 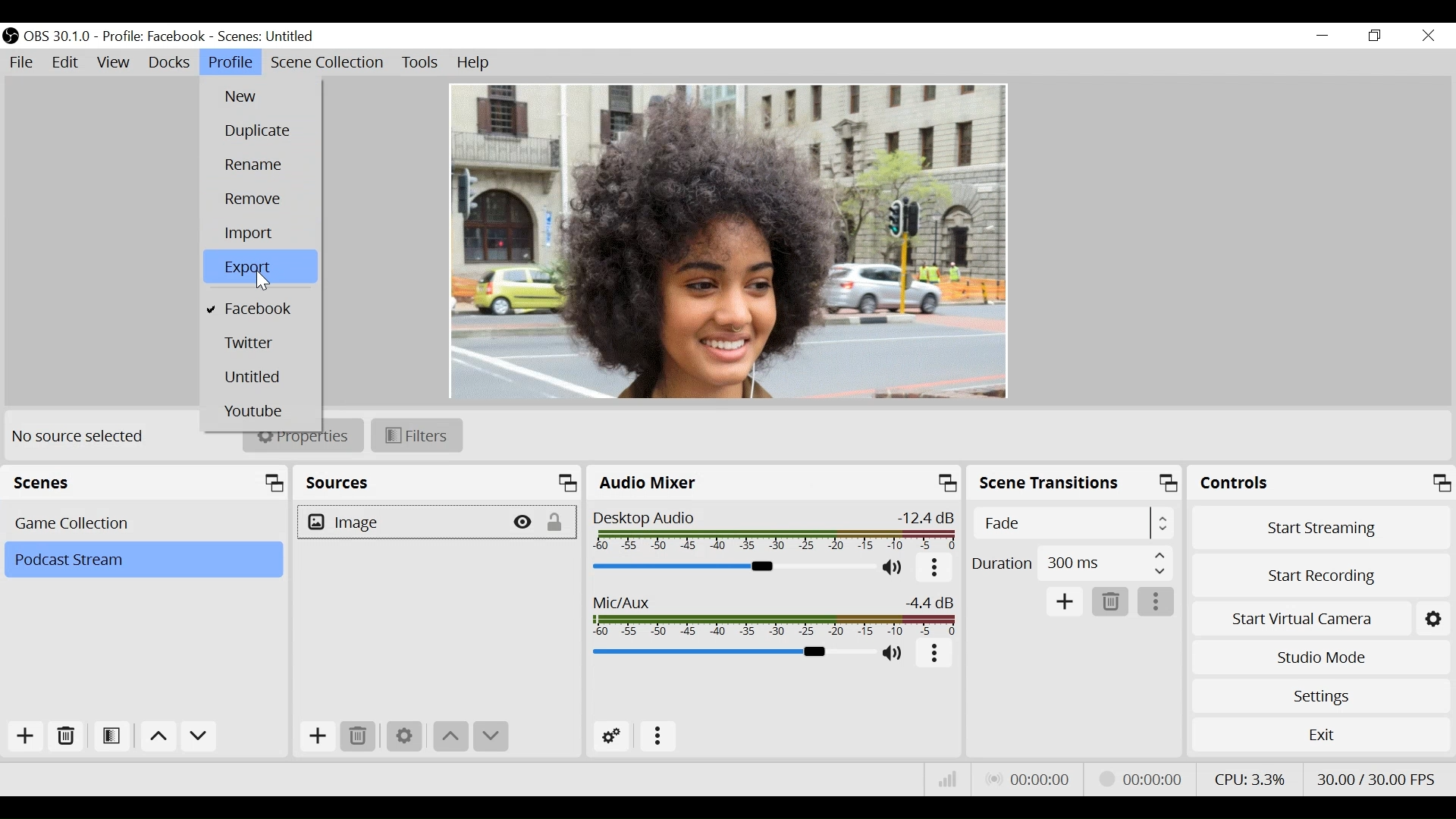 I want to click on (un)mute, so click(x=895, y=654).